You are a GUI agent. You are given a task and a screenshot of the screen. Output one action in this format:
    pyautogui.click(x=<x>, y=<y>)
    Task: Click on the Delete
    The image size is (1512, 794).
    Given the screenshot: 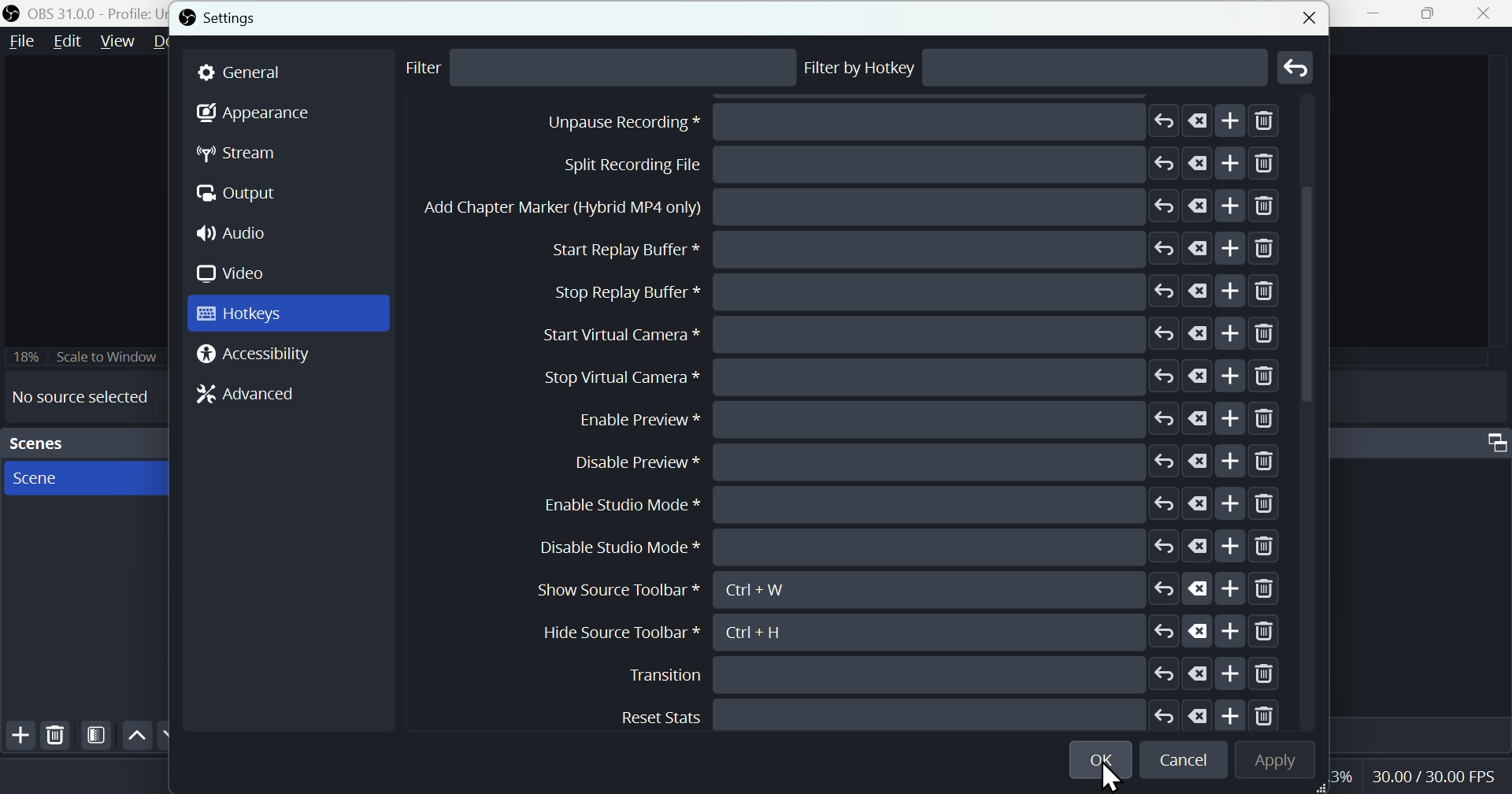 What is the action you would take?
    pyautogui.click(x=56, y=735)
    